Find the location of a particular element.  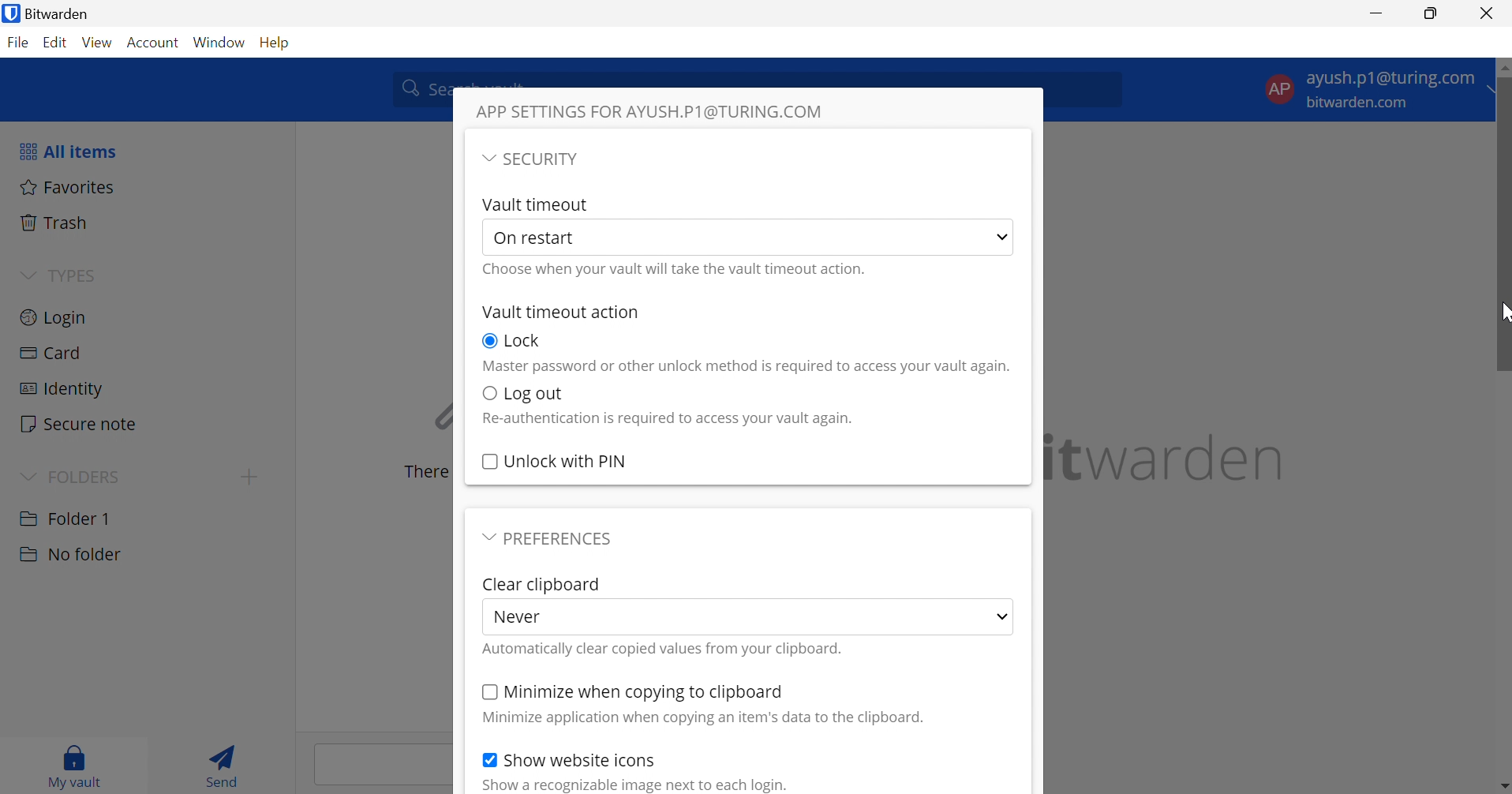

Drop Down is located at coordinates (996, 616).